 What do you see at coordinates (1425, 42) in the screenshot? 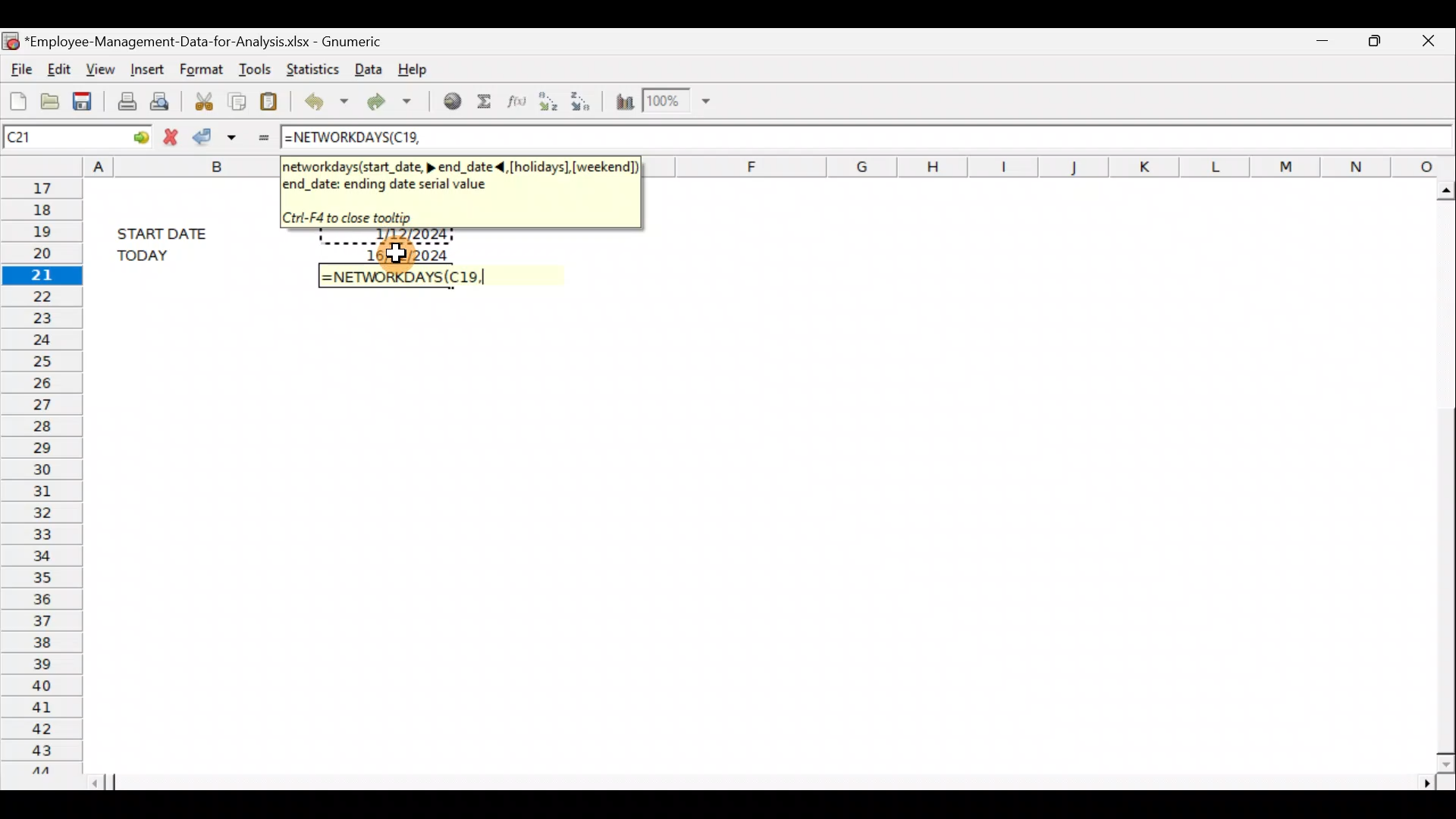
I see `Close` at bounding box center [1425, 42].